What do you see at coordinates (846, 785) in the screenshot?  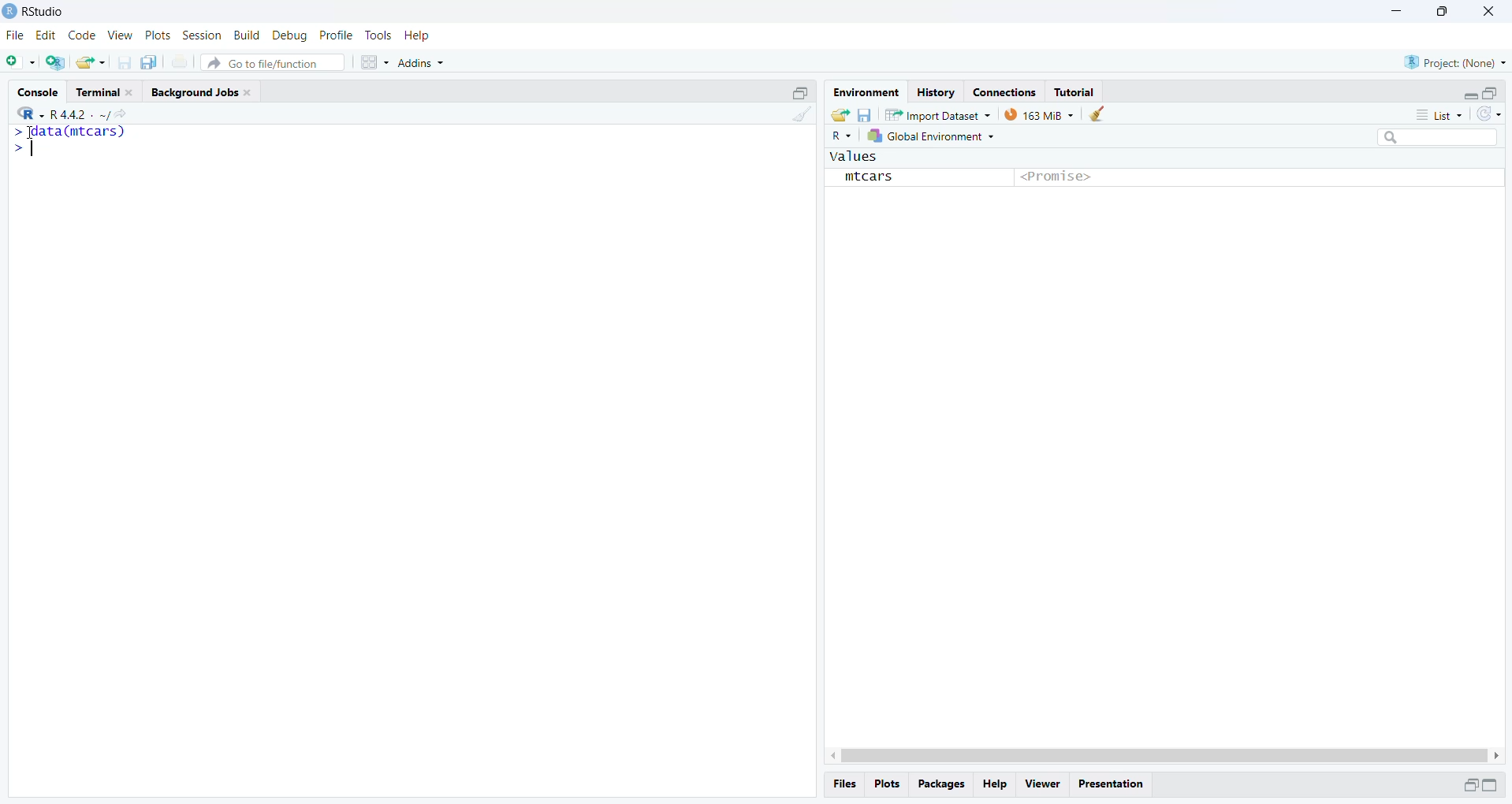 I see `files` at bounding box center [846, 785].